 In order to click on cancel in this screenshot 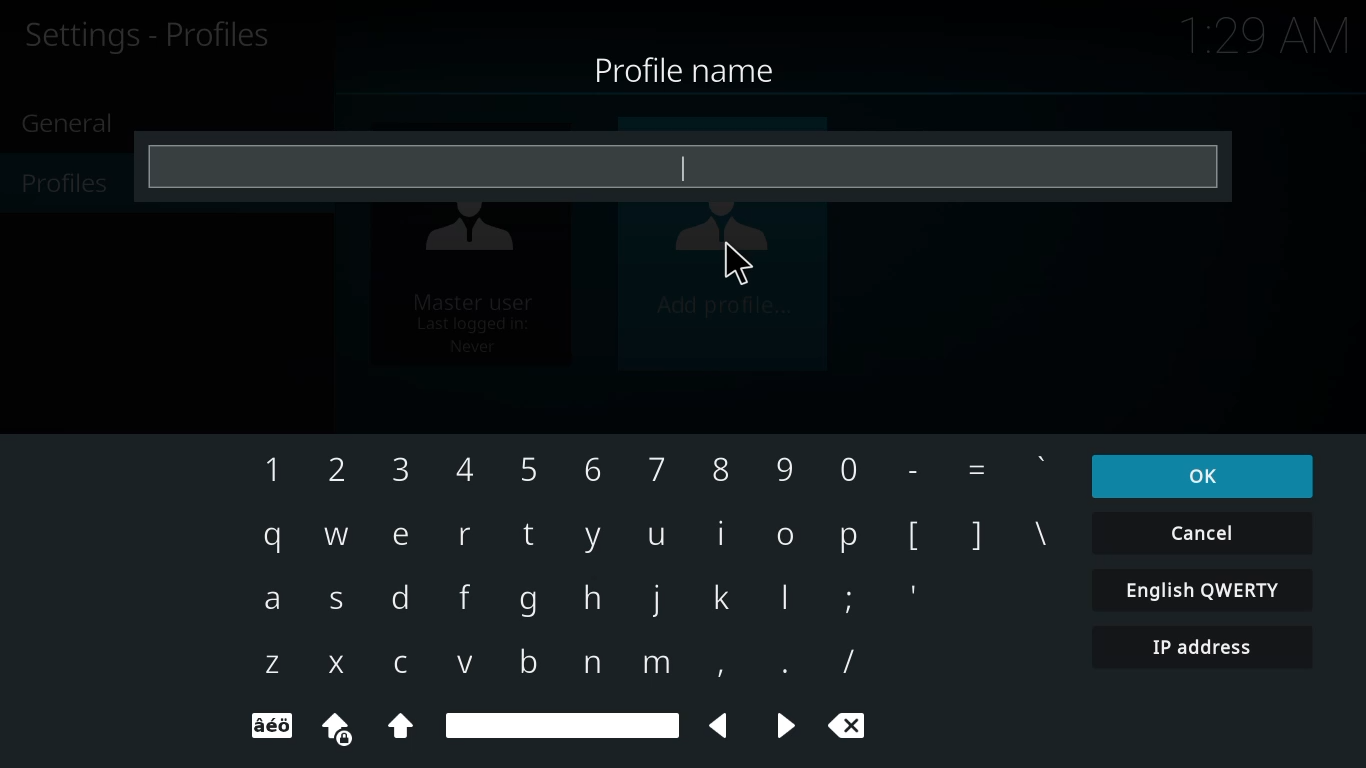, I will do `click(853, 731)`.